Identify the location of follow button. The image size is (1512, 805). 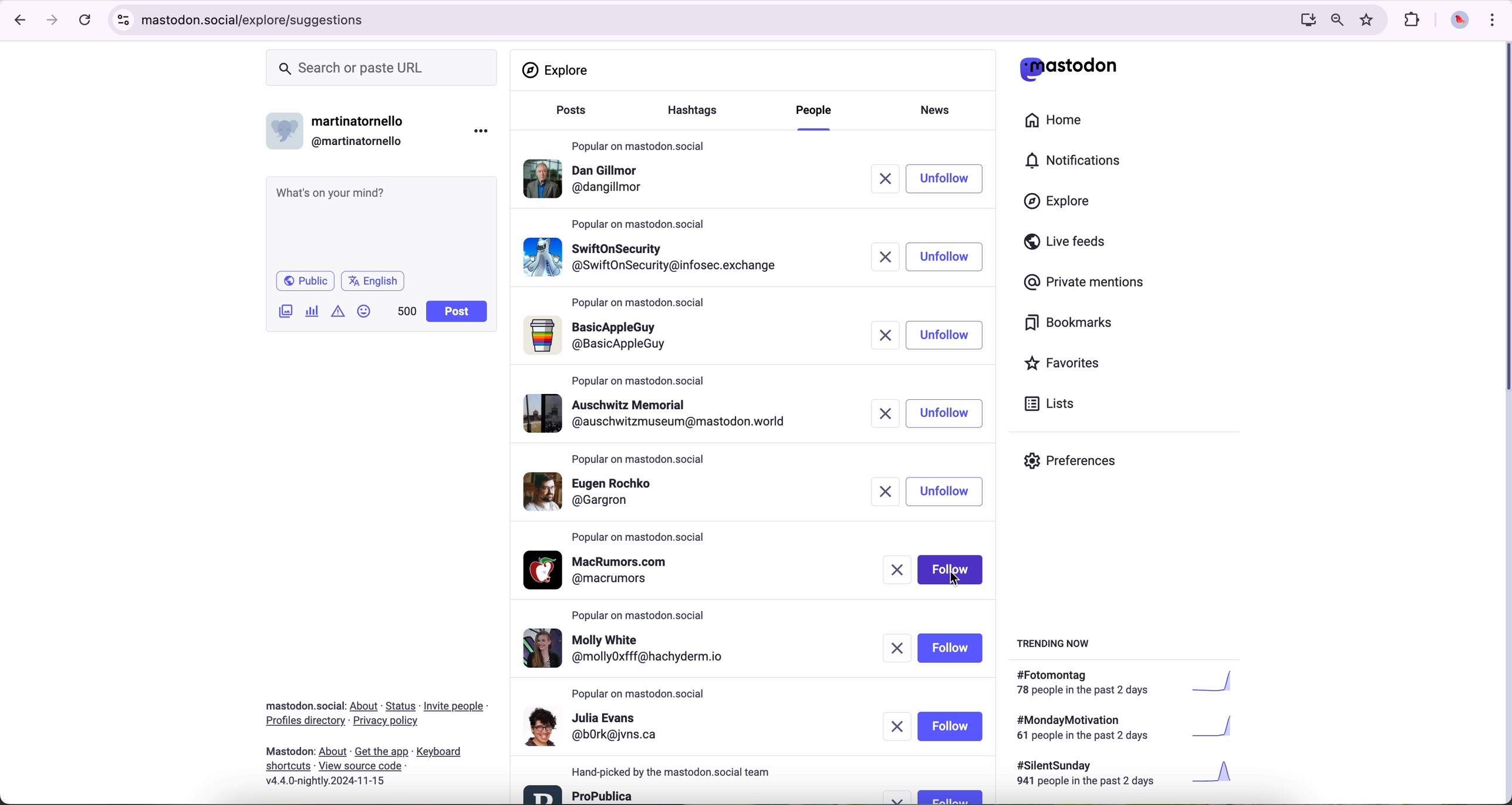
(951, 726).